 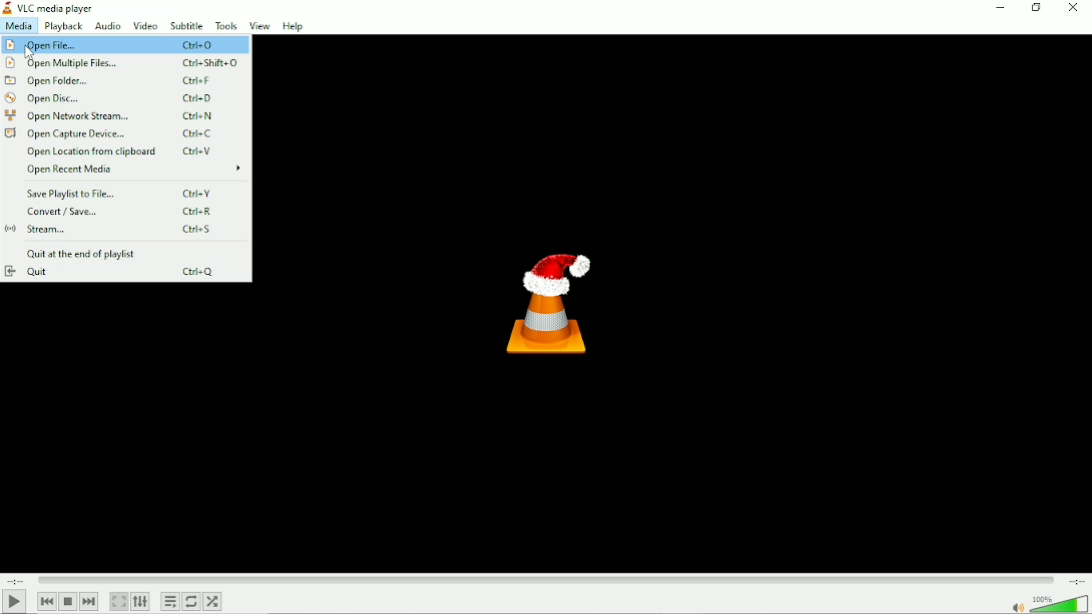 I want to click on cursor, so click(x=33, y=56).